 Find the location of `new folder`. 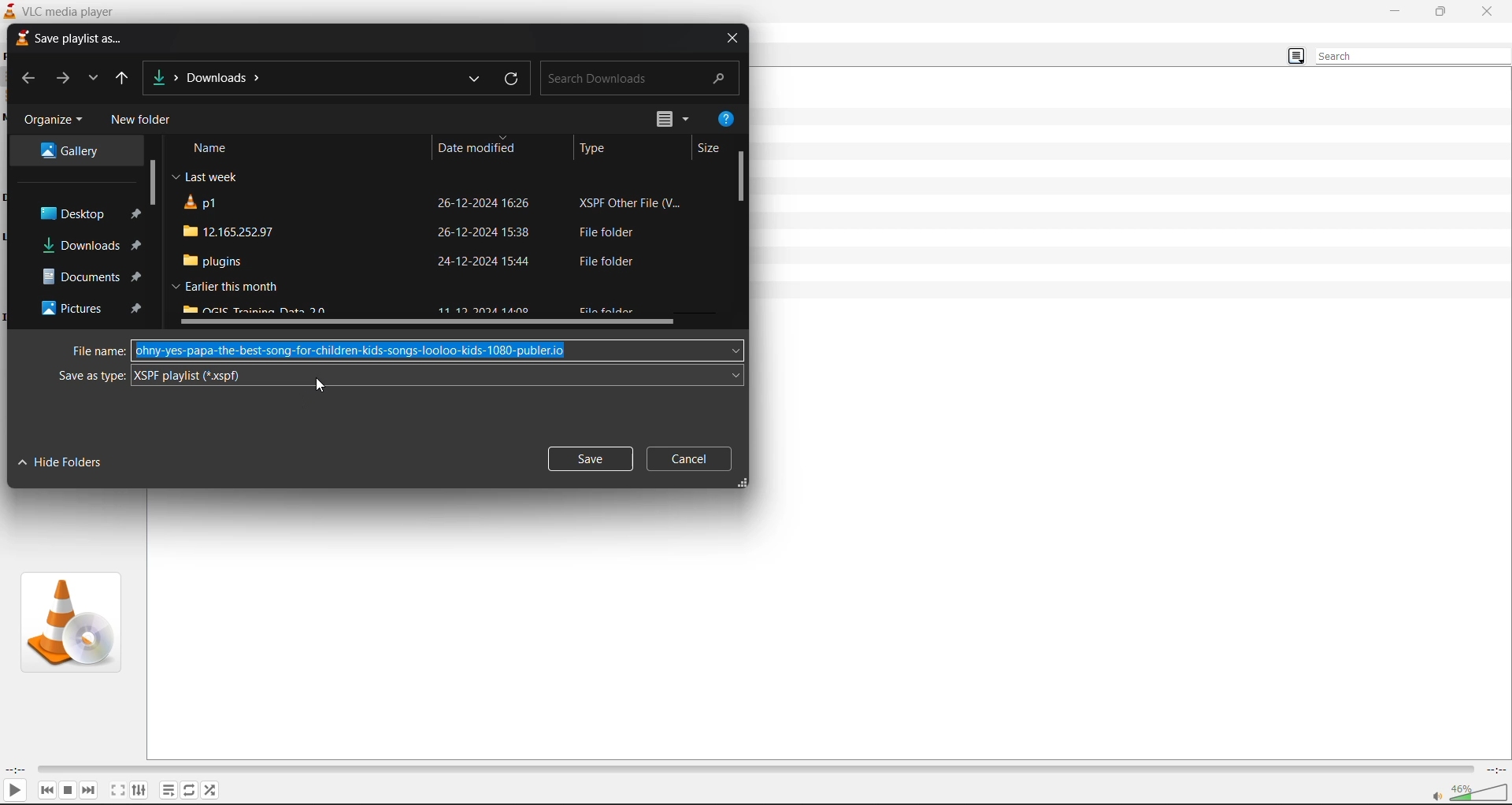

new folder is located at coordinates (139, 121).